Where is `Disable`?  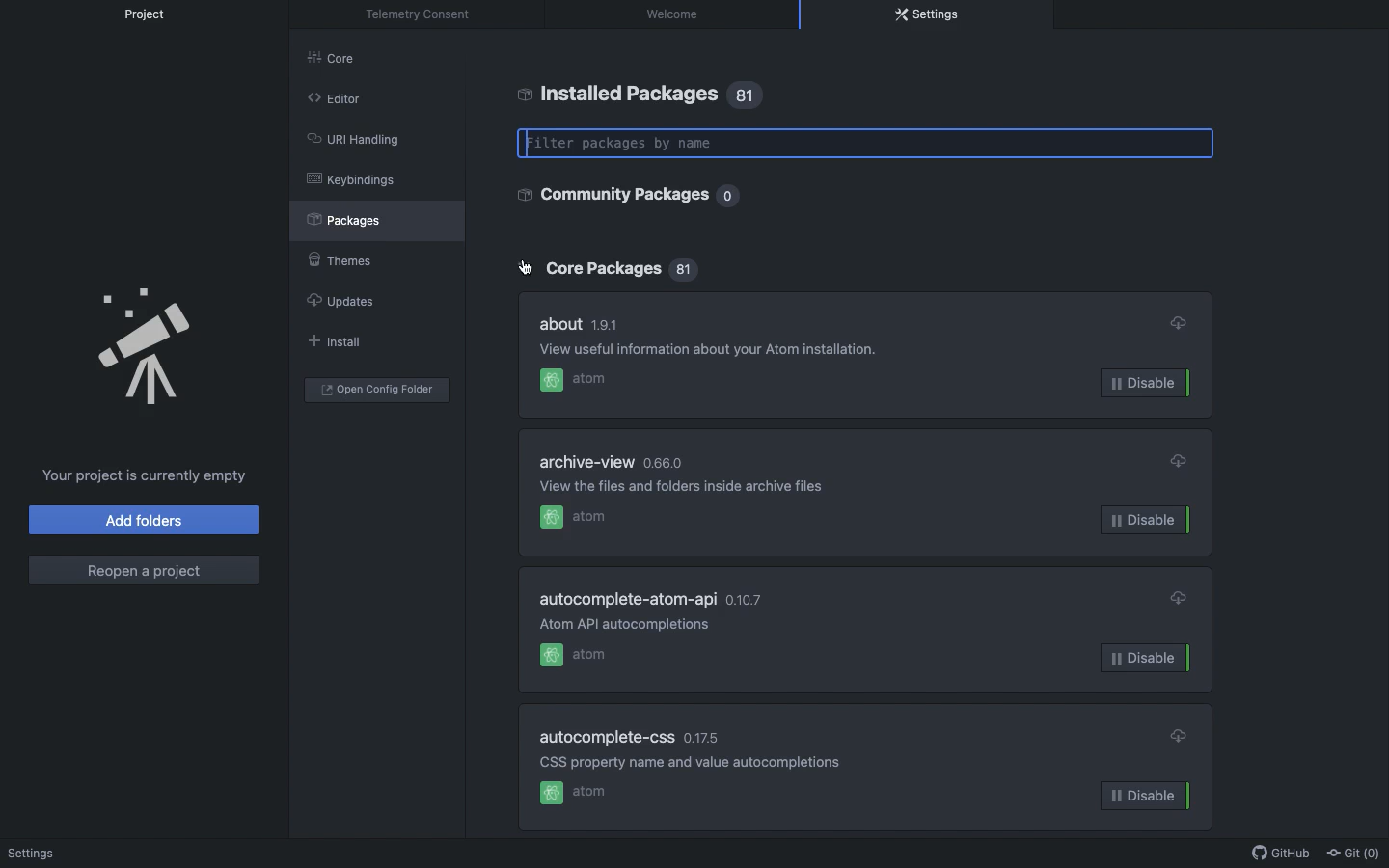
Disable is located at coordinates (1147, 795).